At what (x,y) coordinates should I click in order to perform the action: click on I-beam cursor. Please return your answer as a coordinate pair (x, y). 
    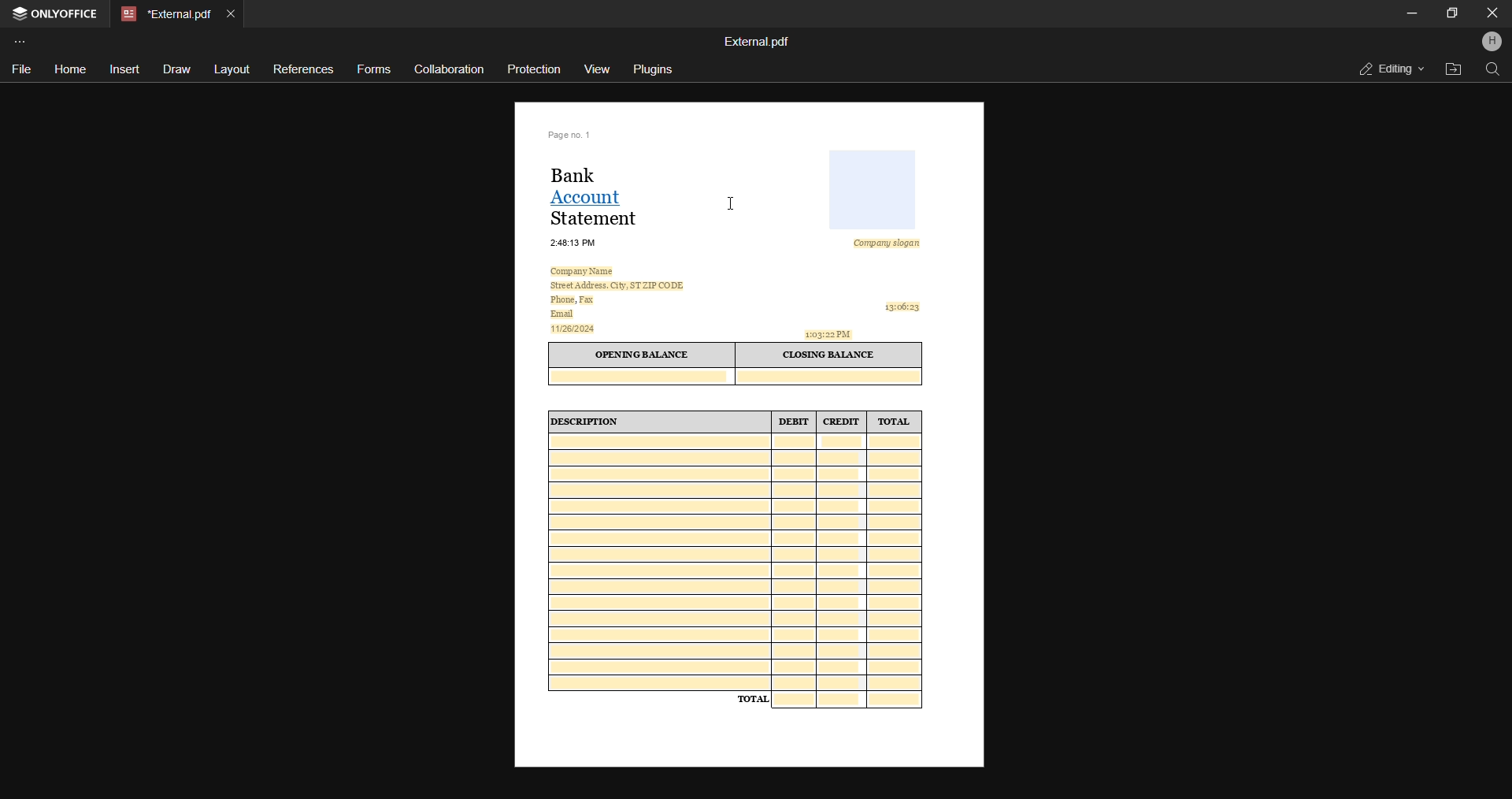
    Looking at the image, I should click on (732, 204).